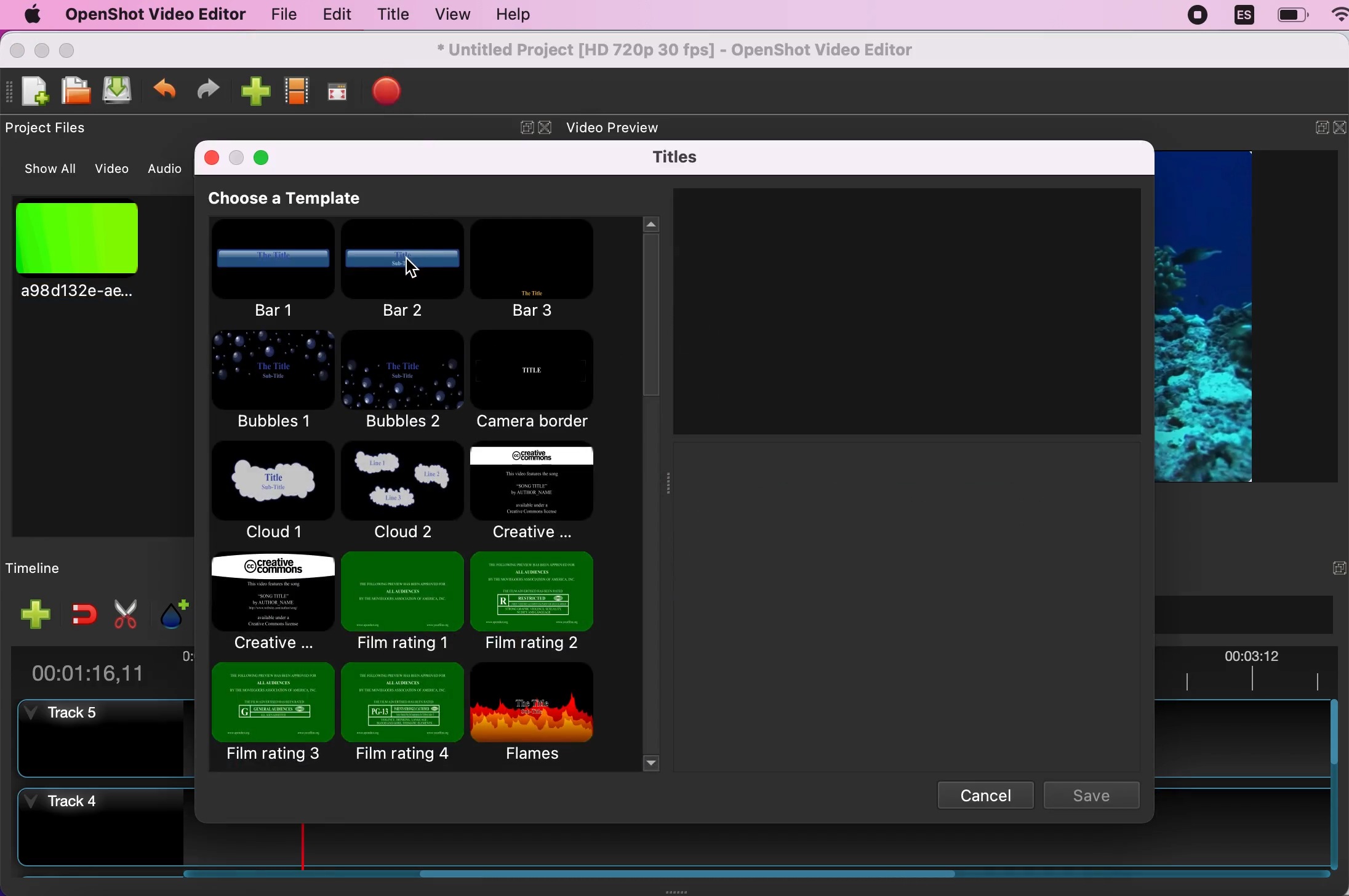  I want to click on close, so click(17, 49).